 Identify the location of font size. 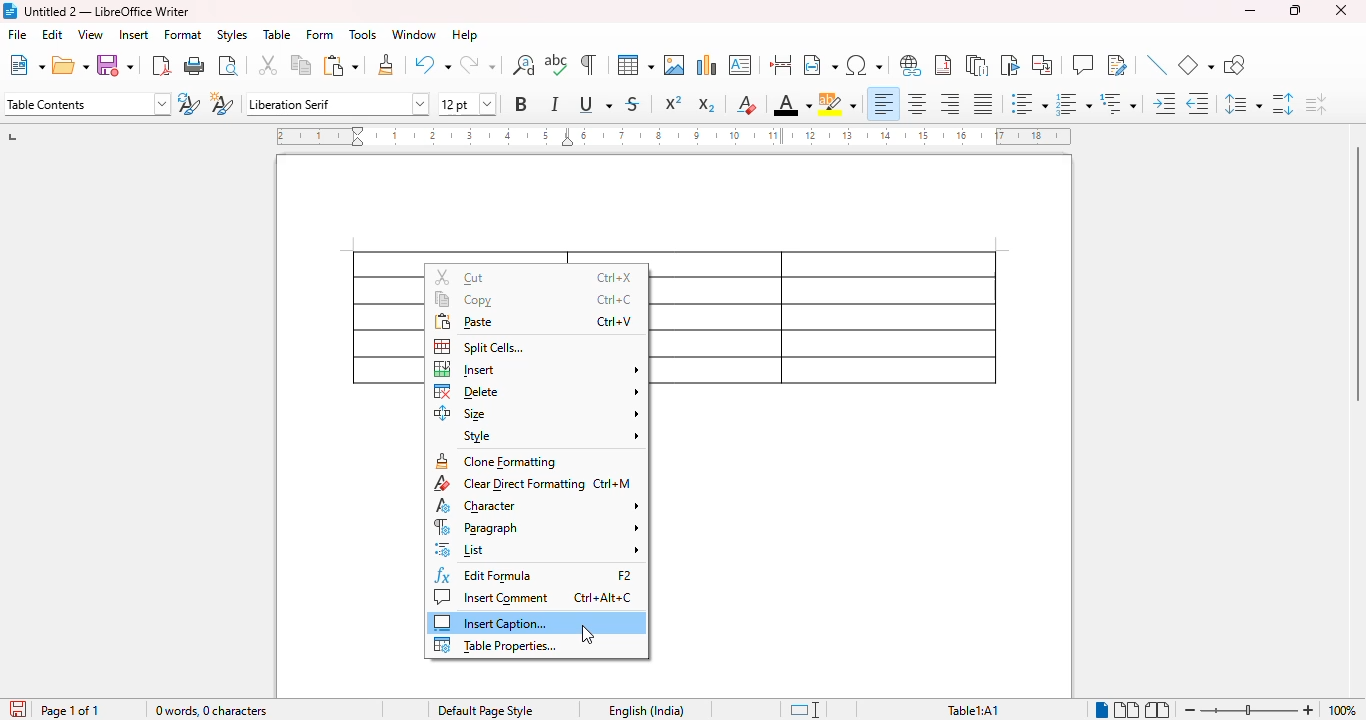
(468, 104).